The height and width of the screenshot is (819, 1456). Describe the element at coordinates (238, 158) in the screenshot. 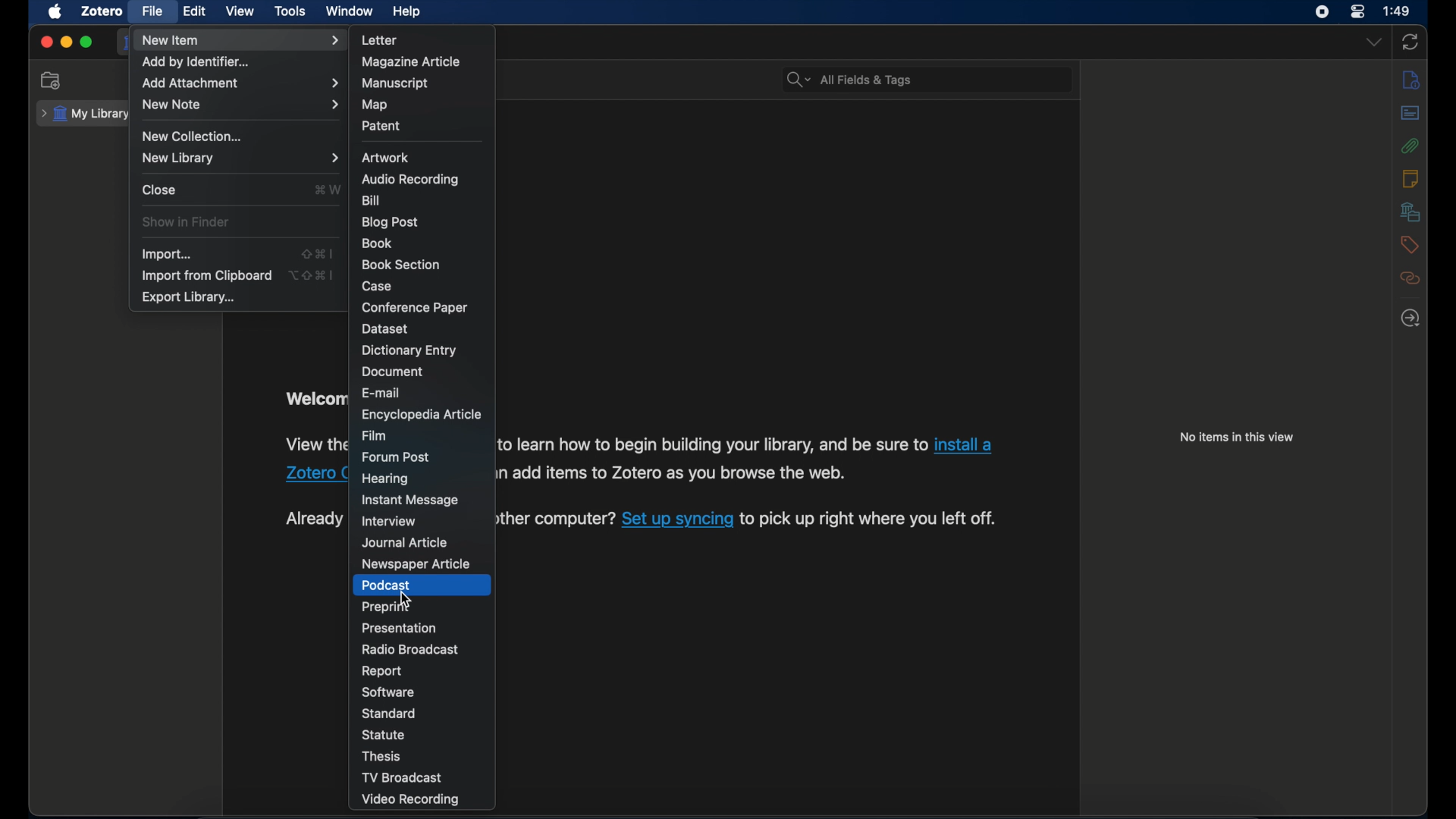

I see `new library` at that location.